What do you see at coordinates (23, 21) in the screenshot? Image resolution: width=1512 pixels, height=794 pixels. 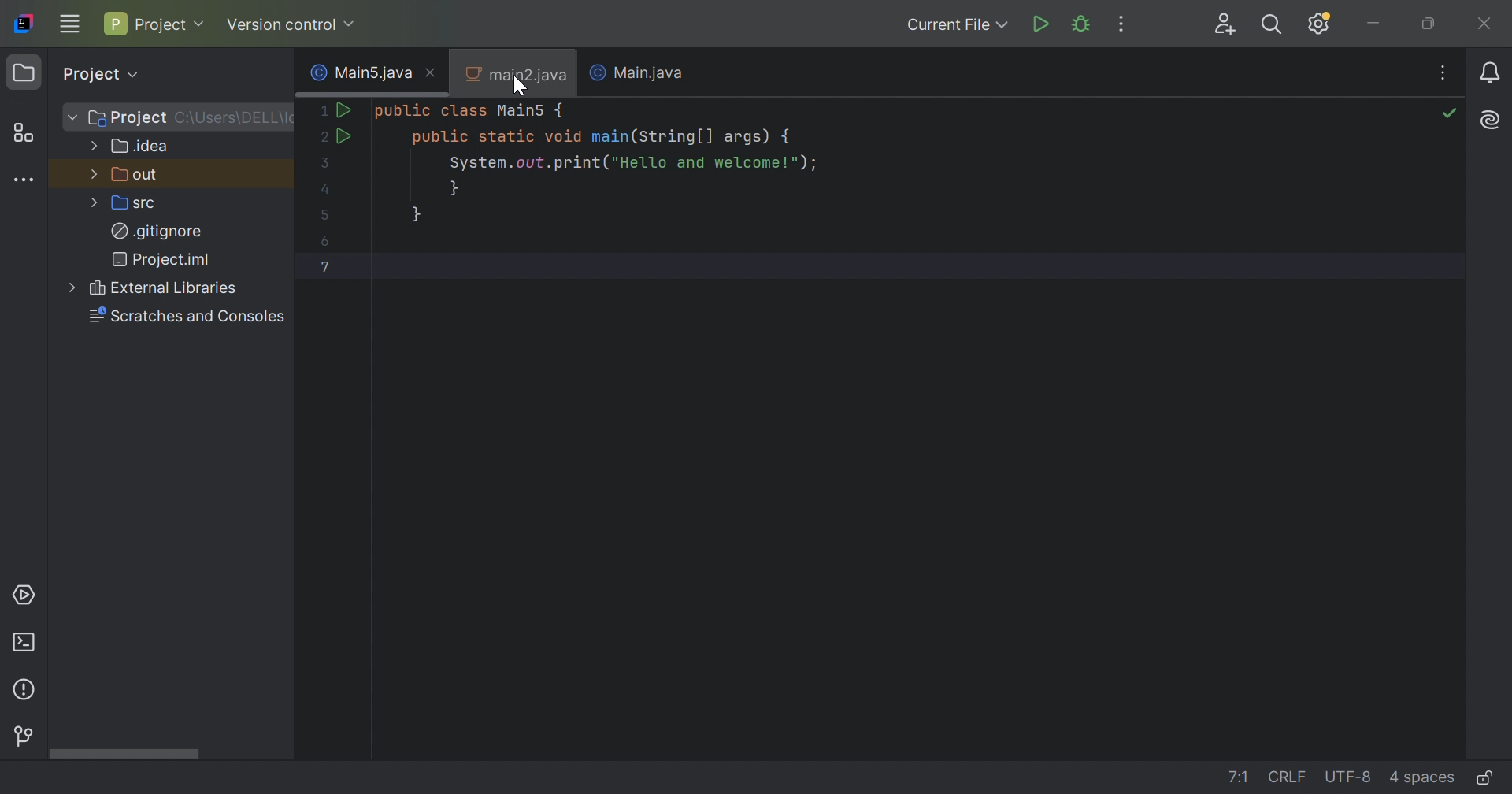 I see `IntelliJ IDEA icon` at bounding box center [23, 21].